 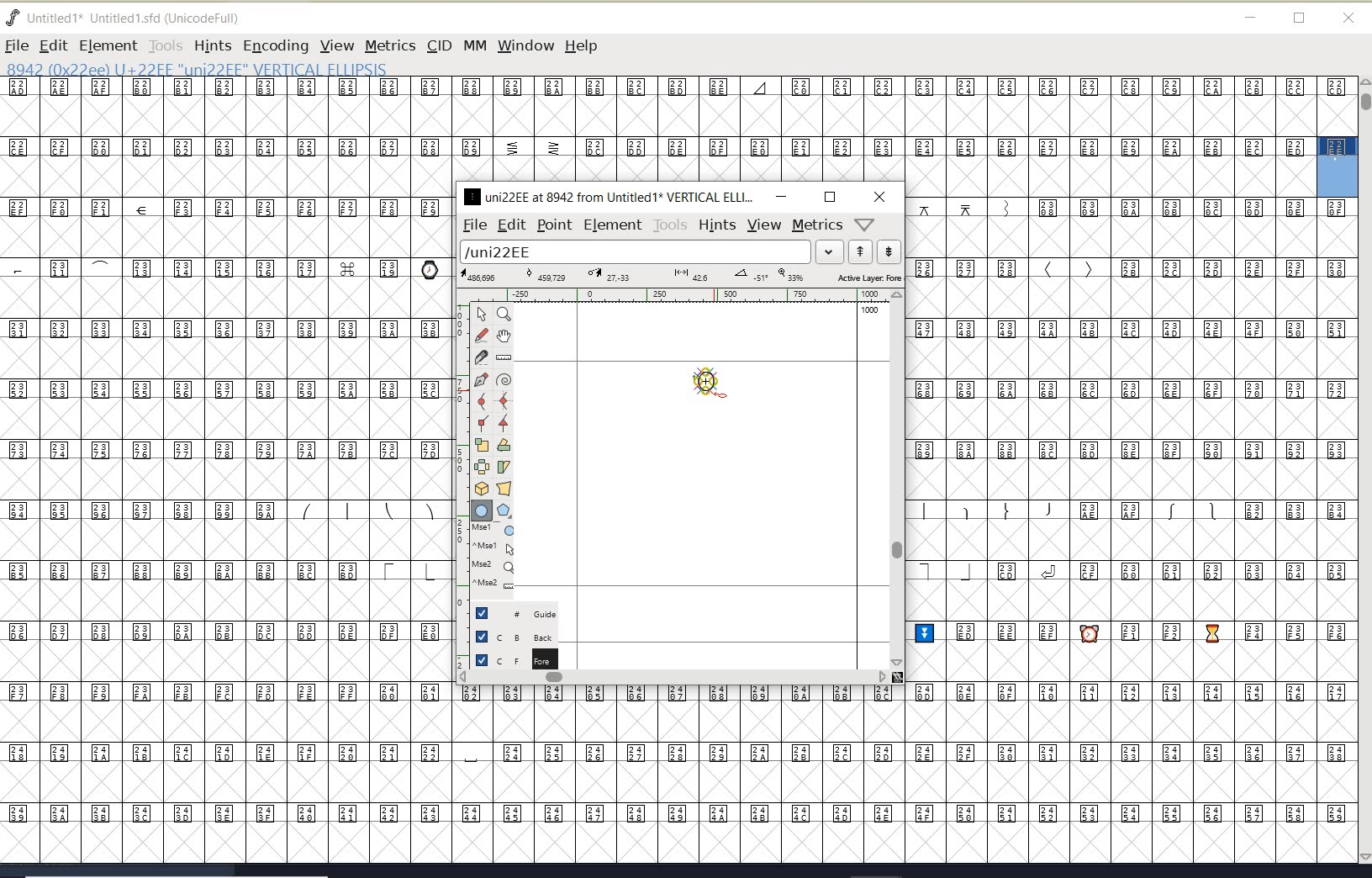 I want to click on SCALE, so click(x=460, y=478).